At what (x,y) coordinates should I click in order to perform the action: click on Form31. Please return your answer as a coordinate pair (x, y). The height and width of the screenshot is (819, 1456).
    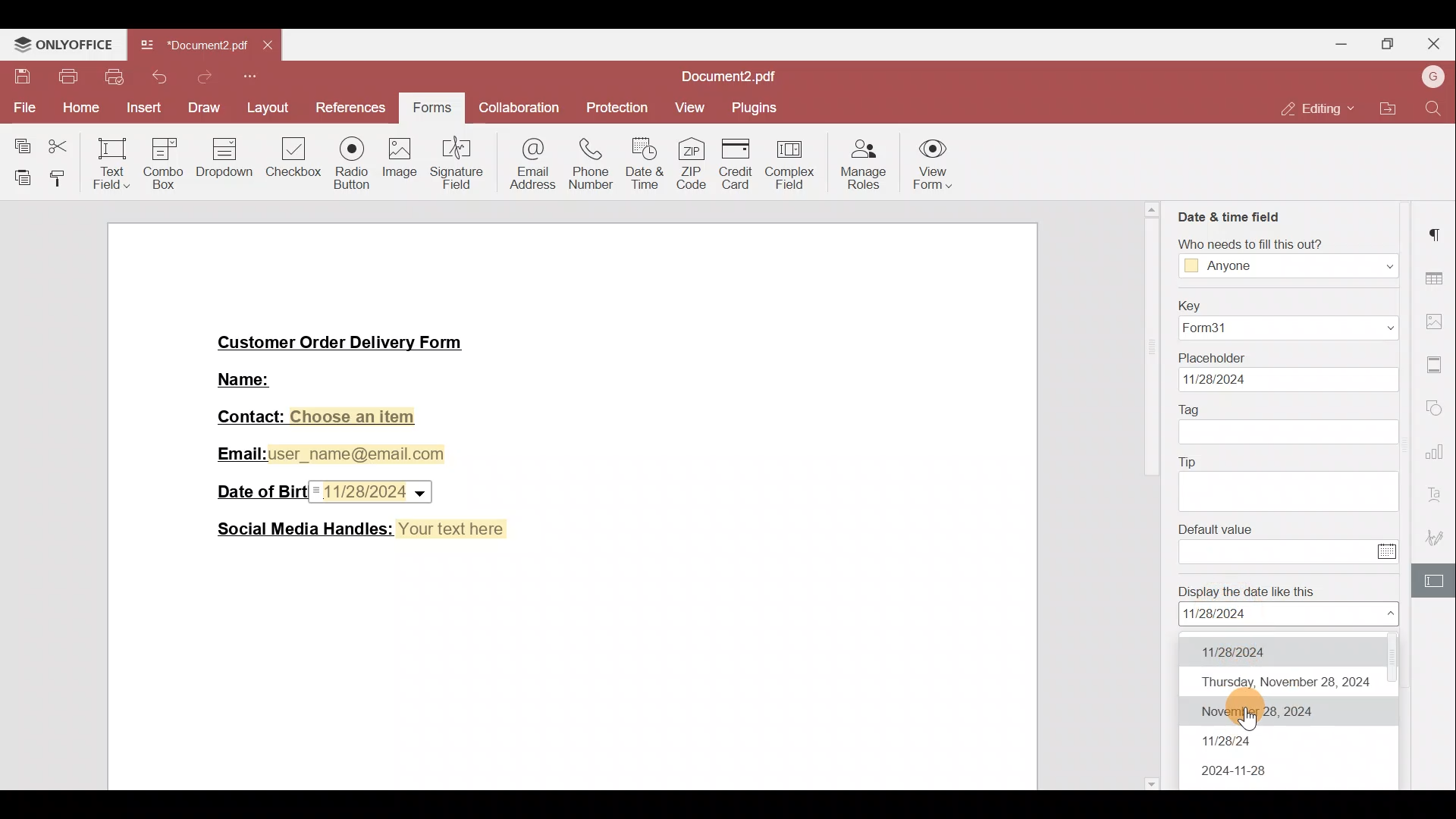
    Looking at the image, I should click on (1290, 329).